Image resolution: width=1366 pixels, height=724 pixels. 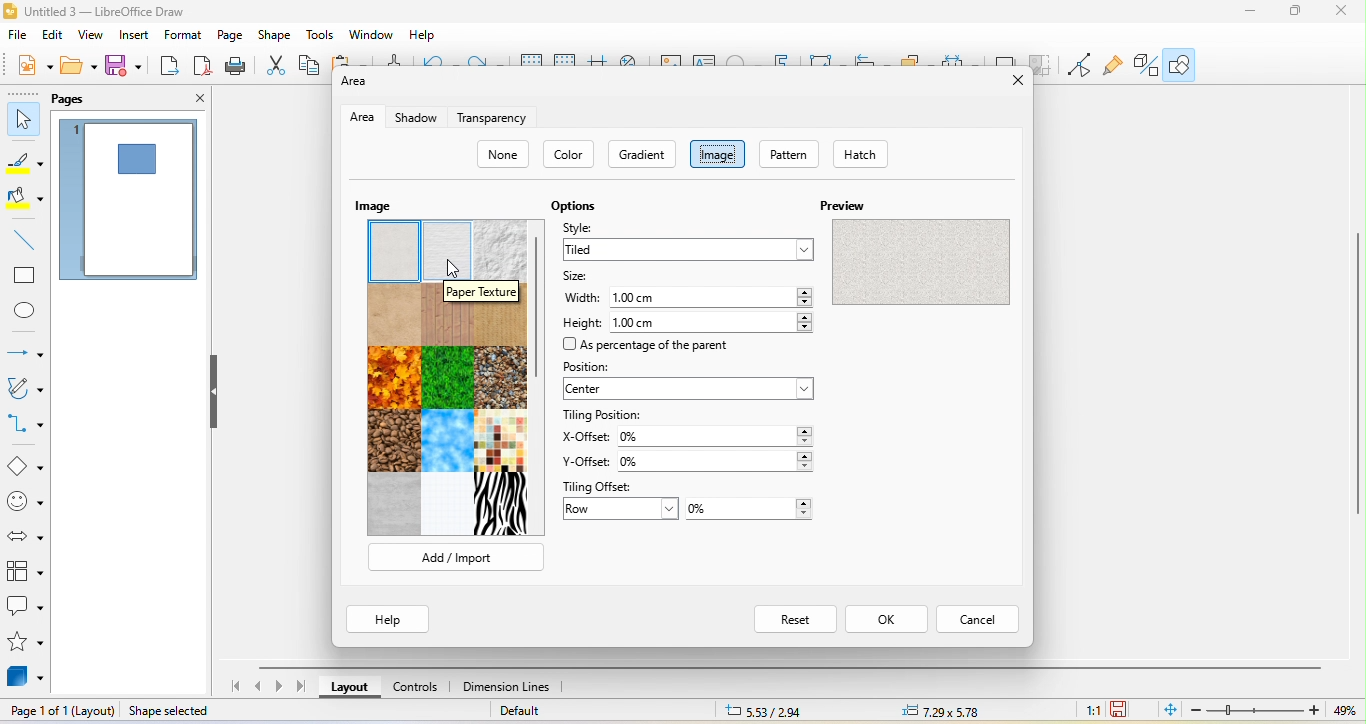 What do you see at coordinates (169, 67) in the screenshot?
I see `export` at bounding box center [169, 67].